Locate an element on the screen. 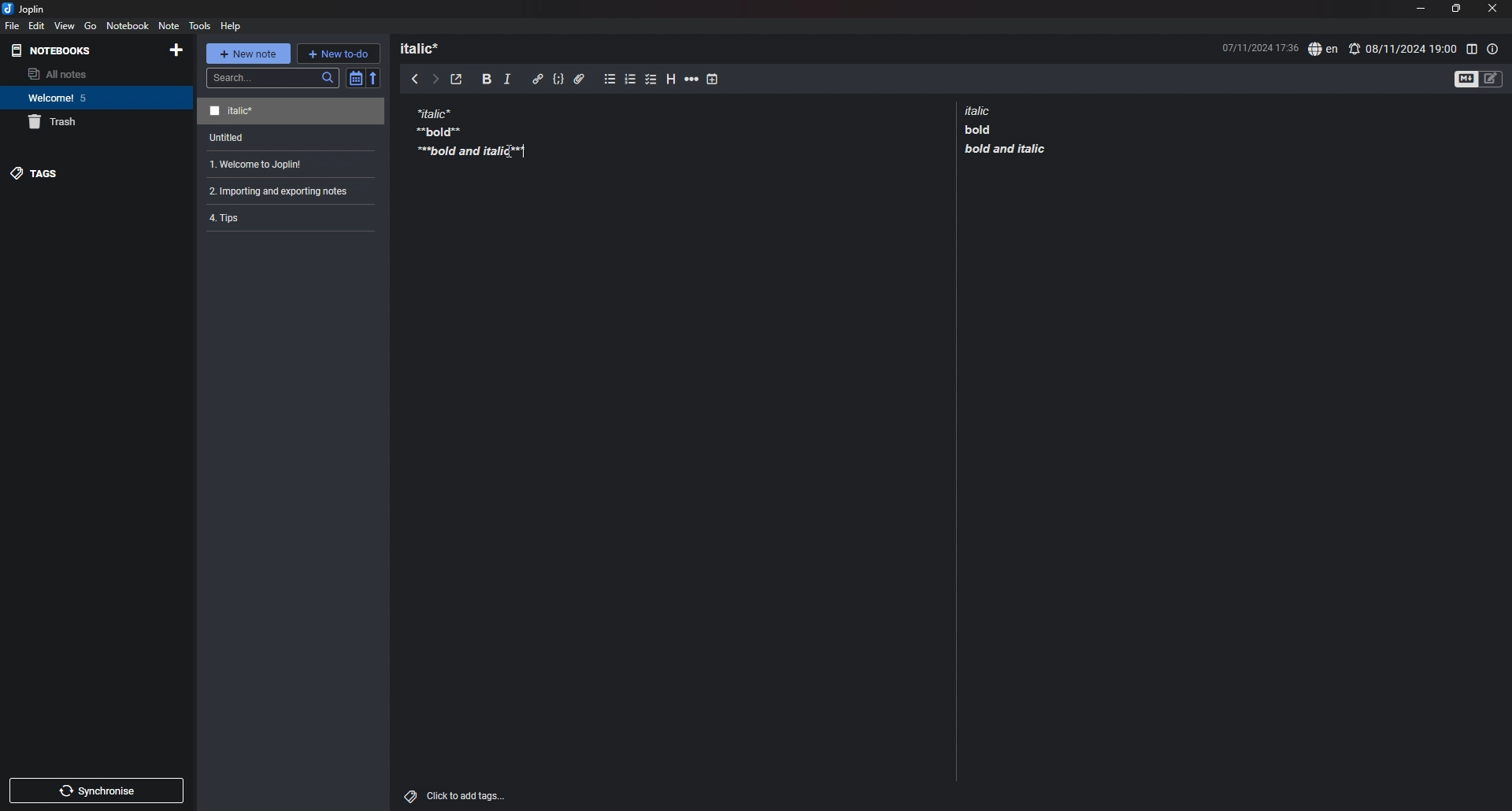 This screenshot has height=811, width=1512. file is located at coordinates (13, 25).